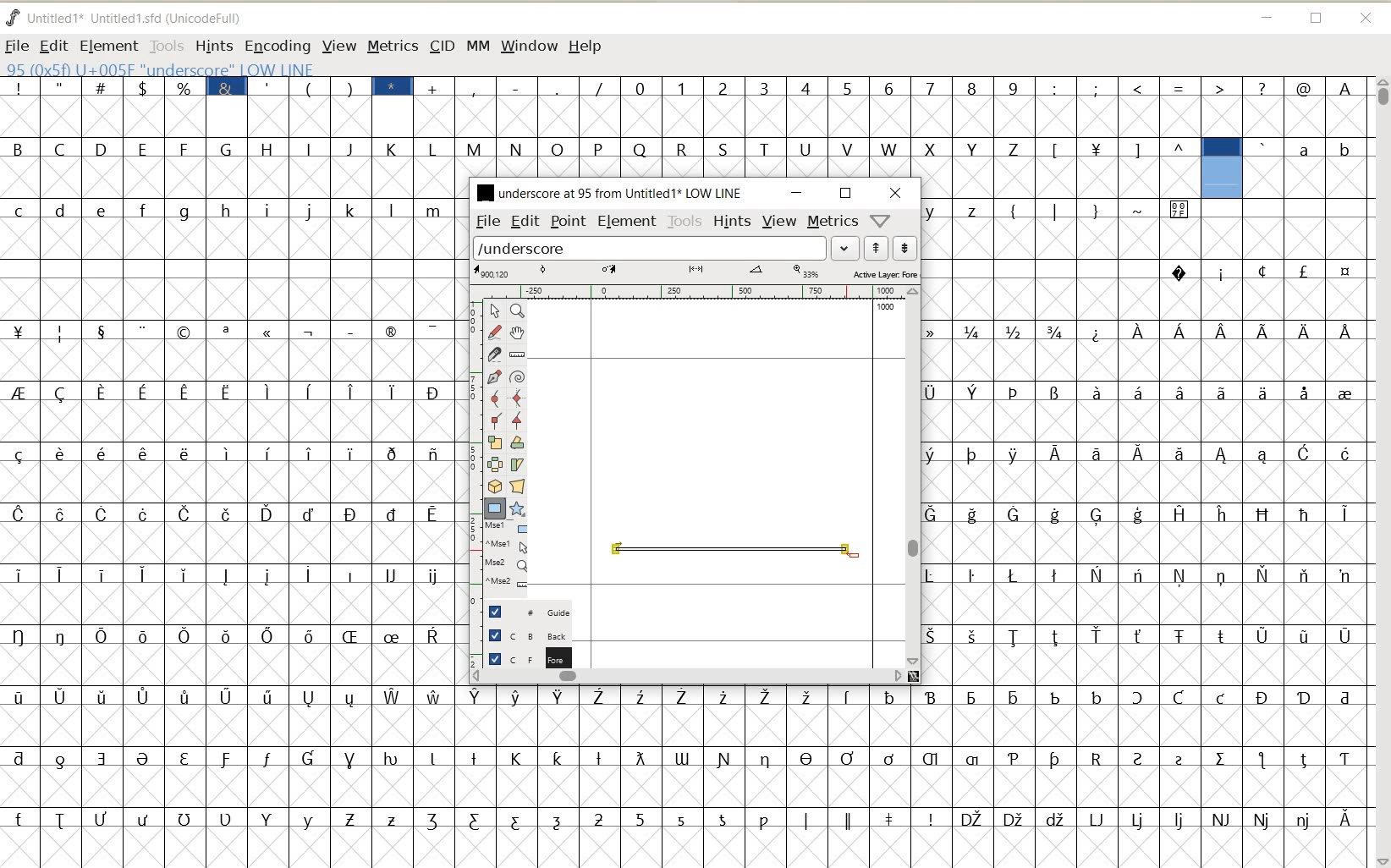 Image resolution: width=1391 pixels, height=868 pixels. Describe the element at coordinates (627, 222) in the screenshot. I see `ELEMENT` at that location.